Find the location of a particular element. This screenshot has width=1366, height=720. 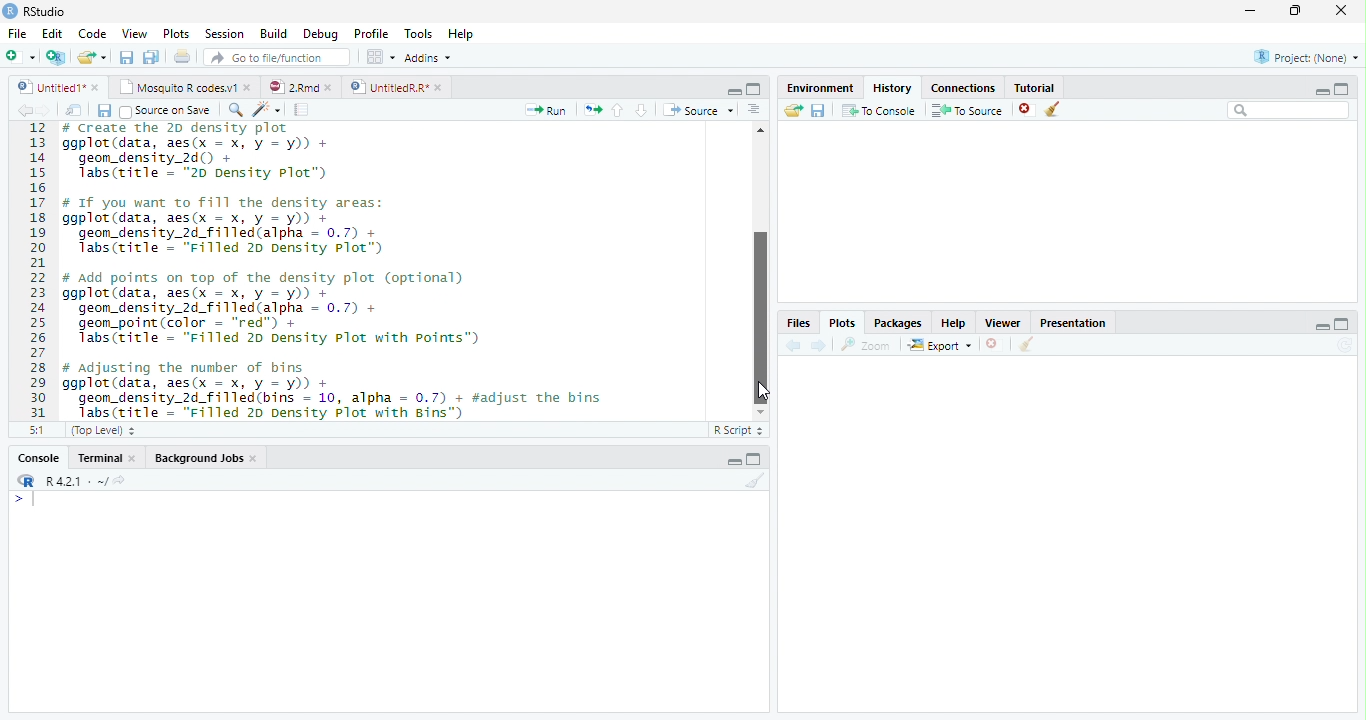

History is located at coordinates (892, 88).